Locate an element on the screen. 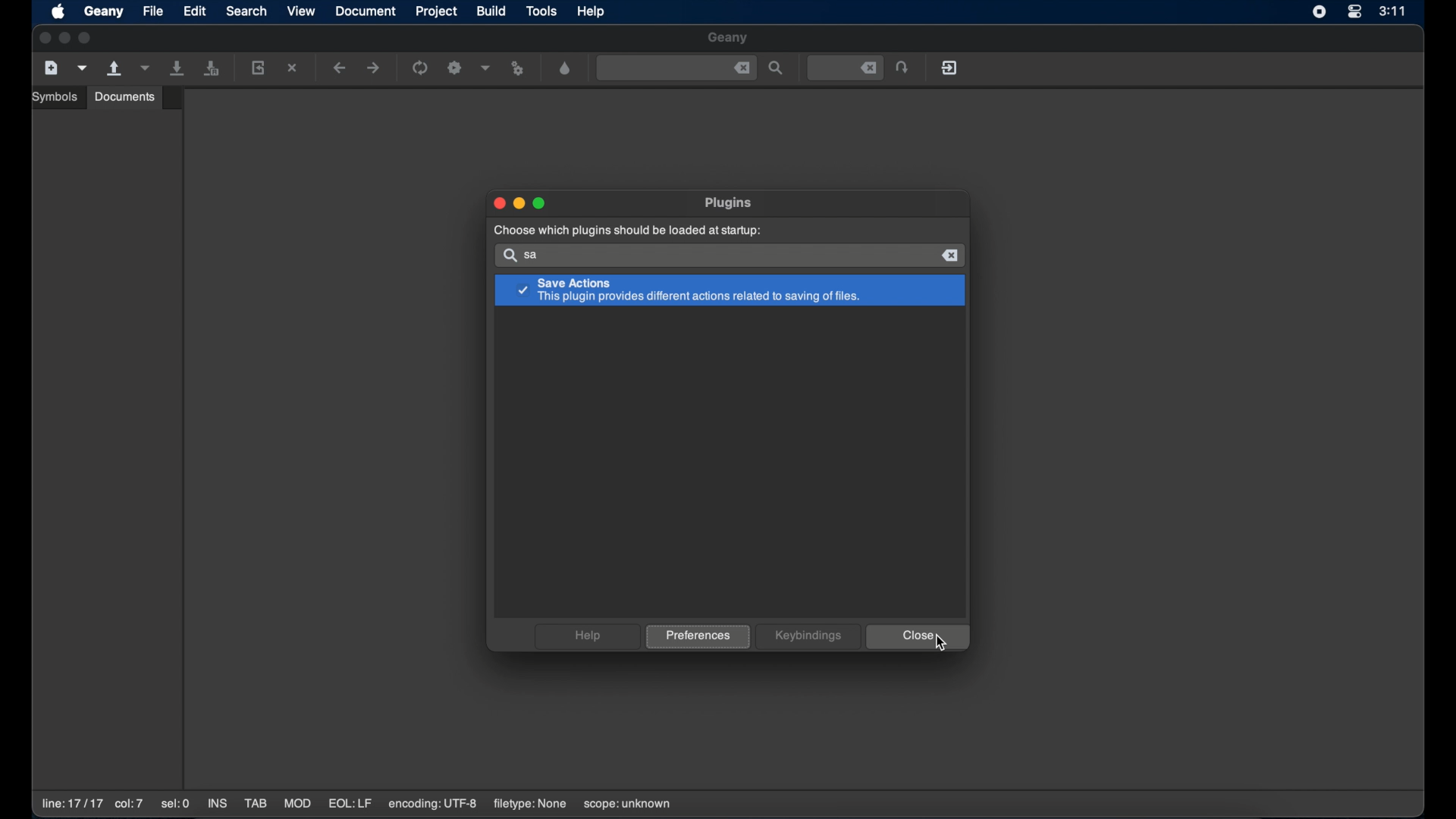  minimize is located at coordinates (65, 39).